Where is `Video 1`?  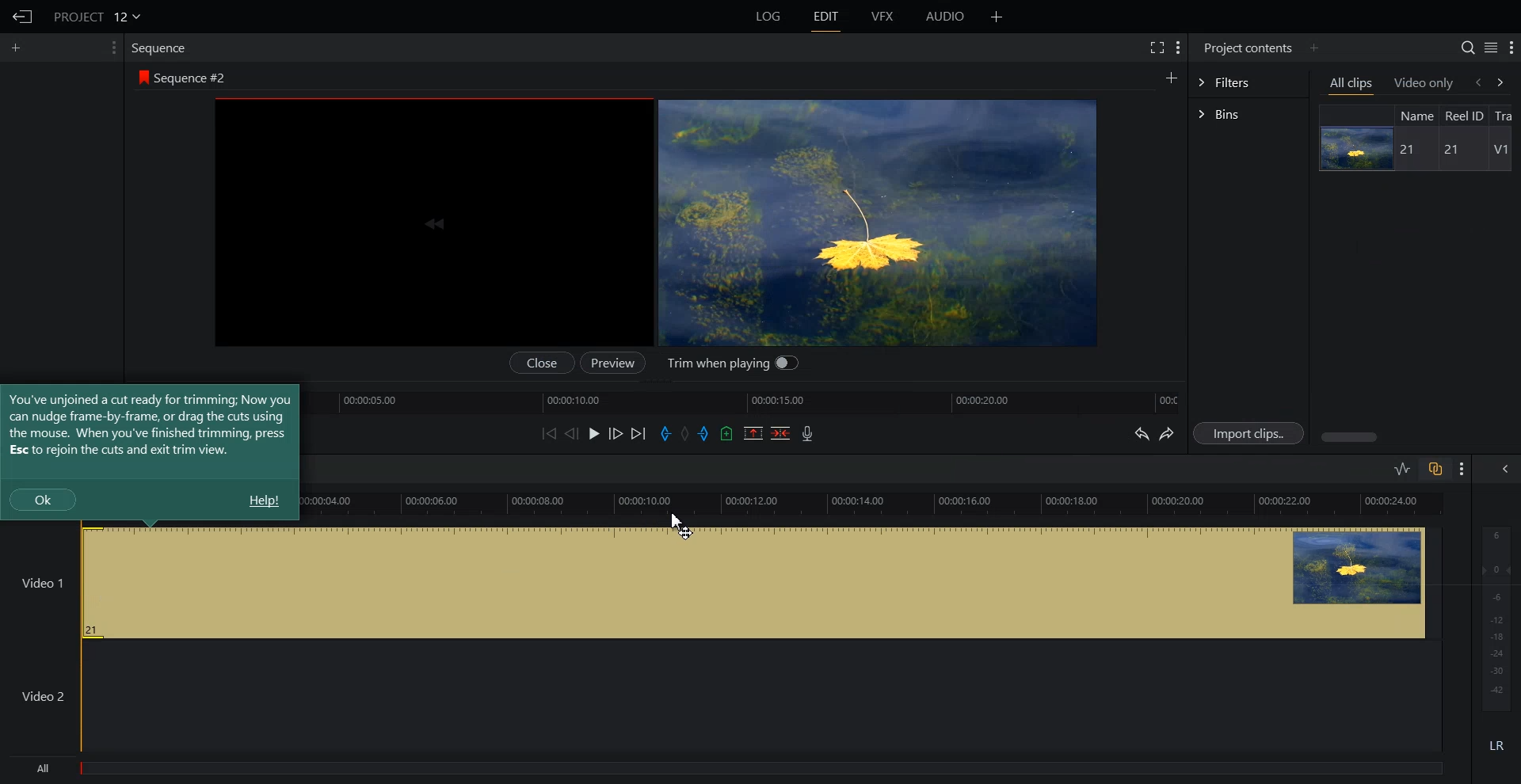
Video 1 is located at coordinates (722, 582).